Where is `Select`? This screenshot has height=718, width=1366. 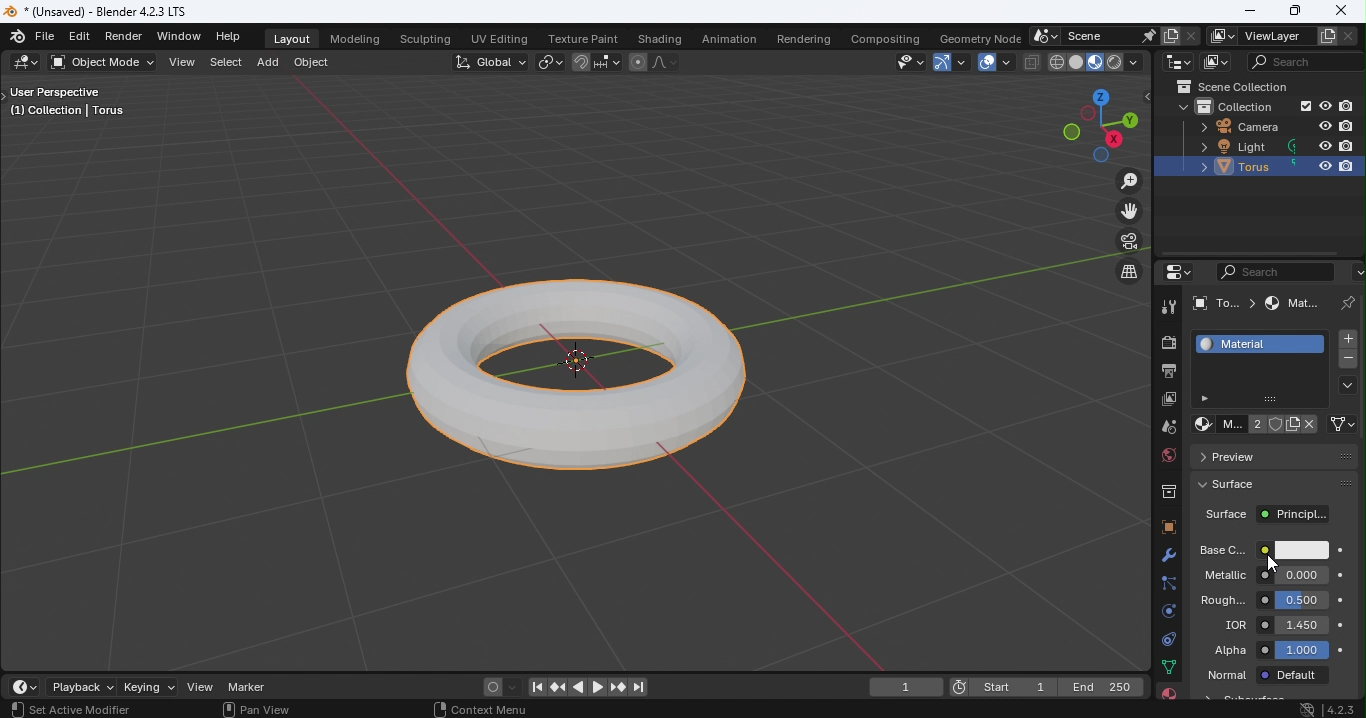 Select is located at coordinates (230, 60).